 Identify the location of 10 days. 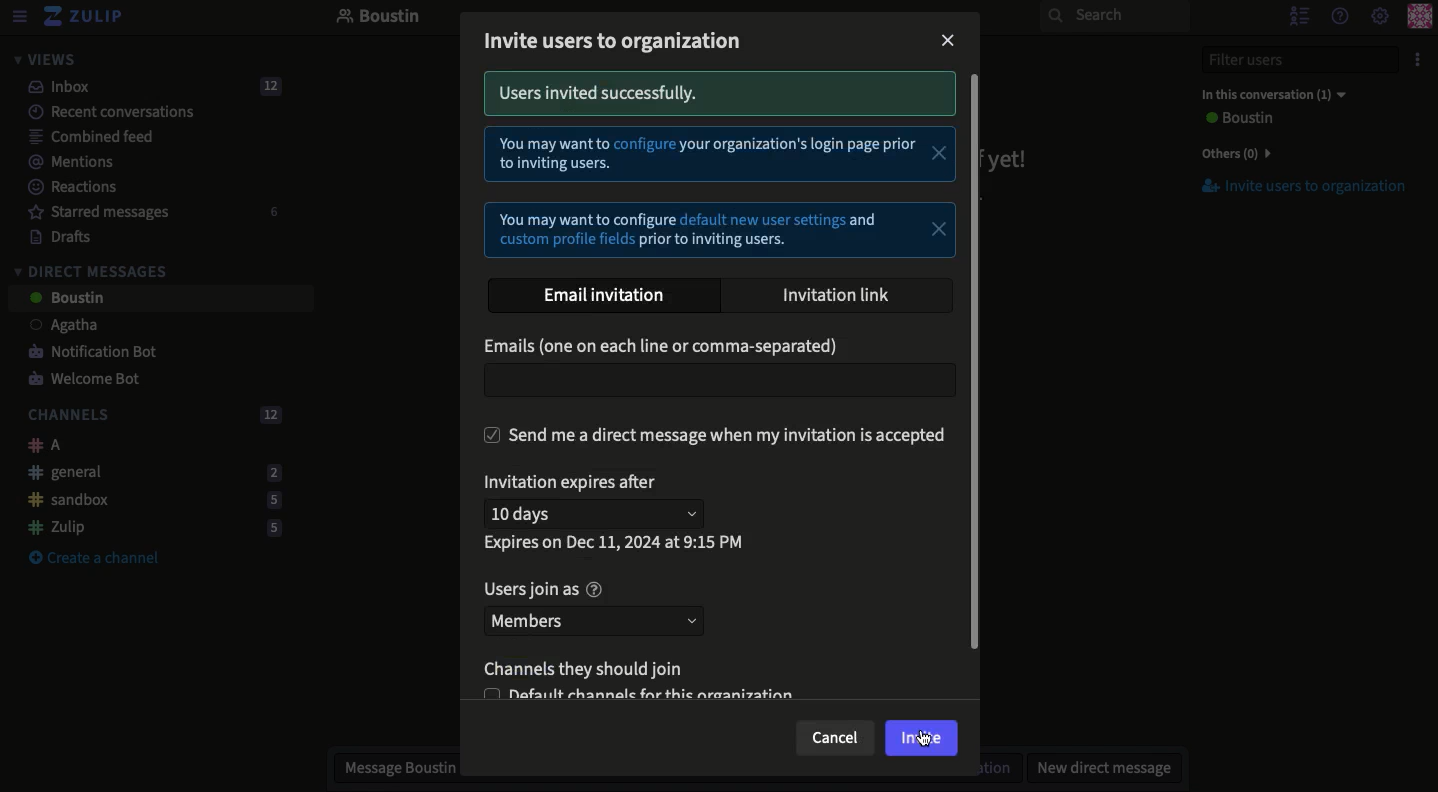
(599, 513).